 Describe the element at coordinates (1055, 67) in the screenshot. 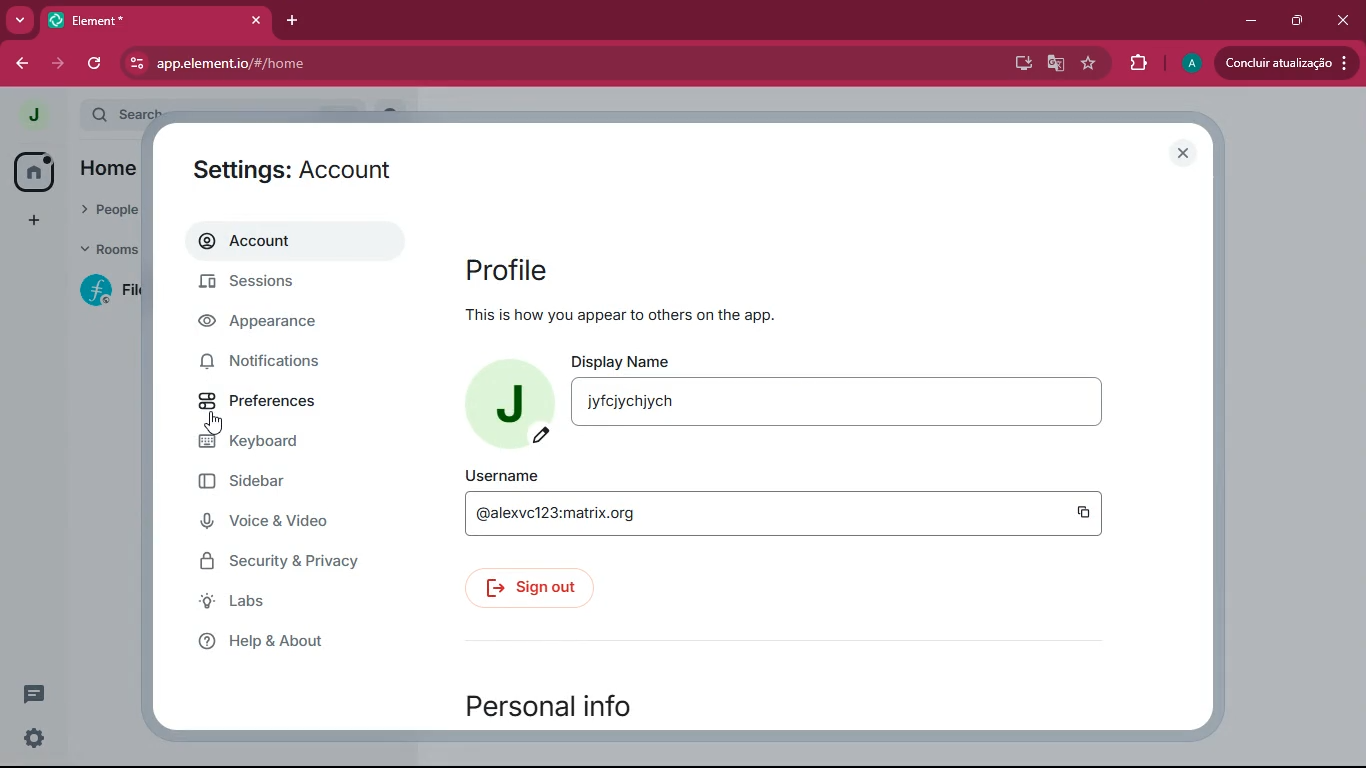

I see `google translate` at that location.